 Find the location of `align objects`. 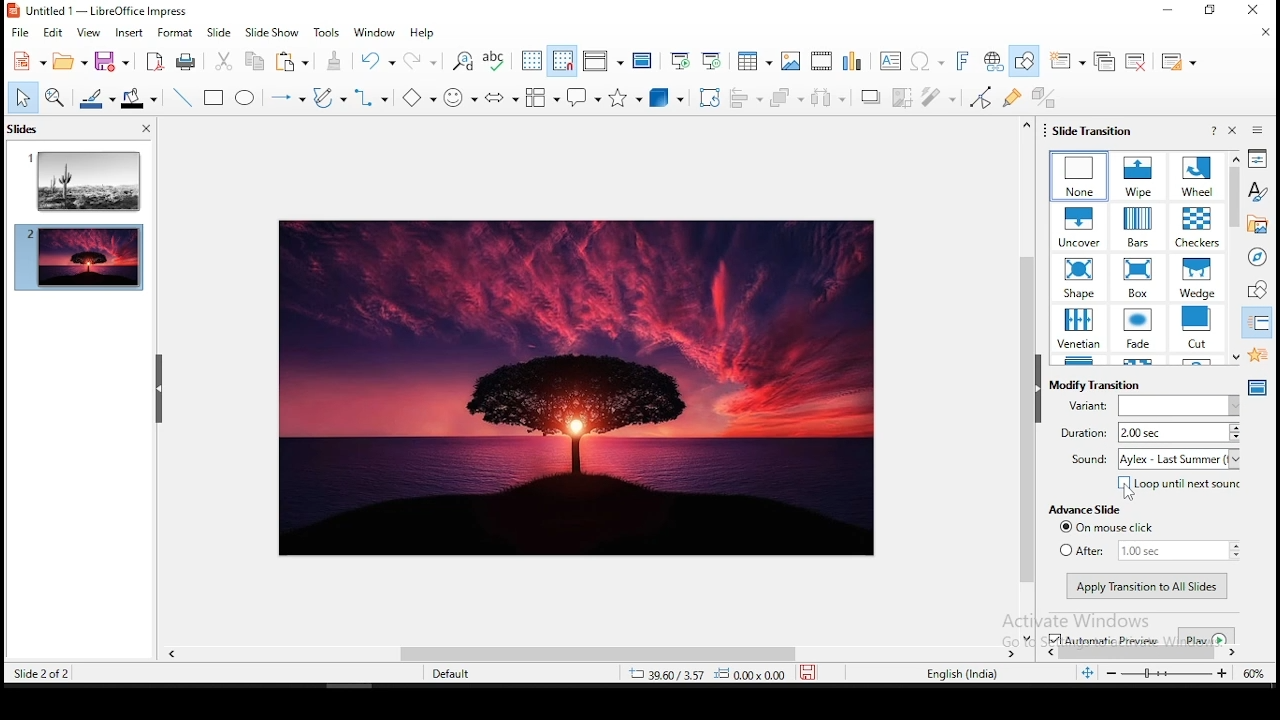

align objects is located at coordinates (750, 97).